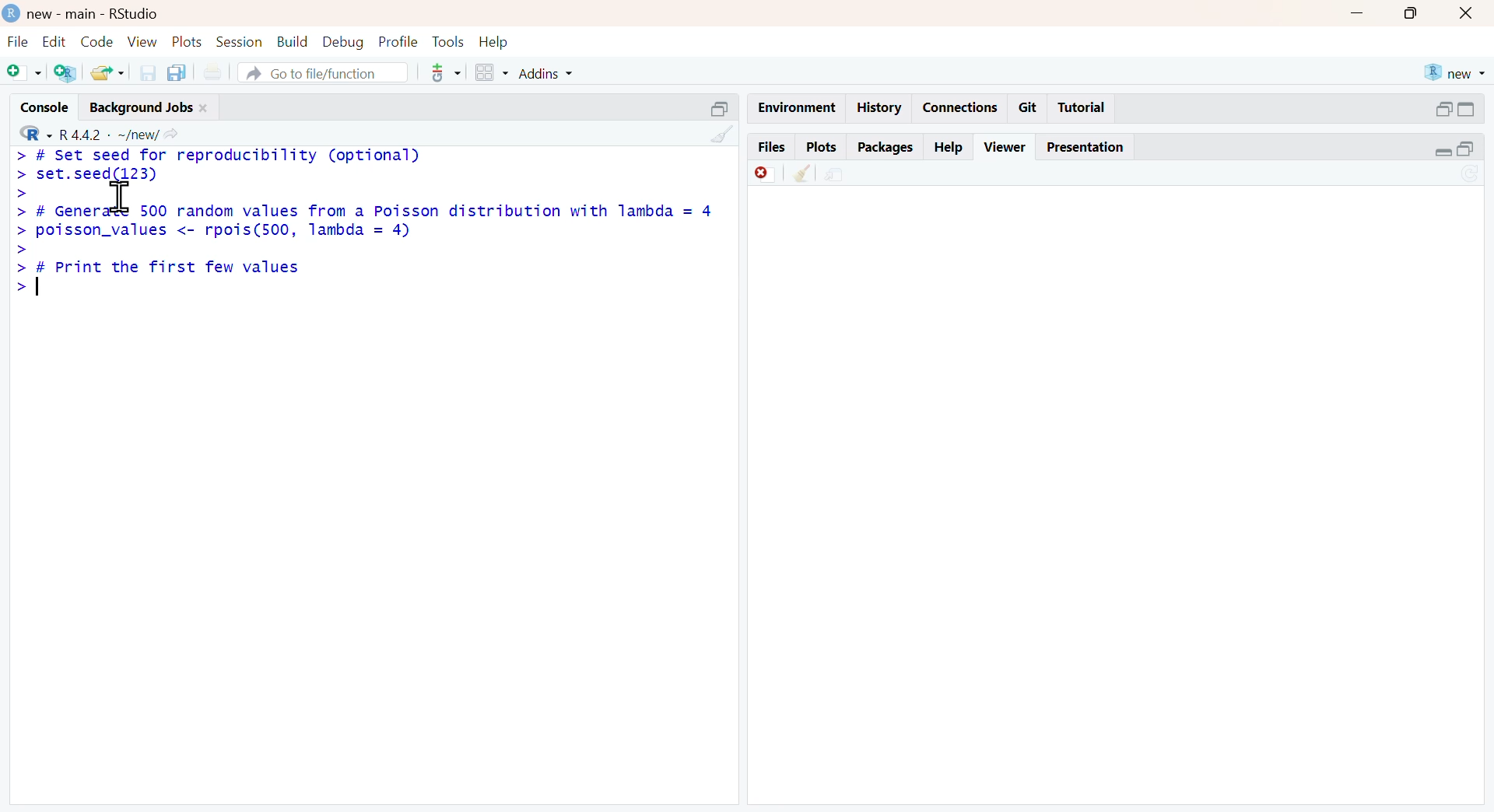 The image size is (1494, 812). What do you see at coordinates (1466, 149) in the screenshot?
I see `open in separate window` at bounding box center [1466, 149].